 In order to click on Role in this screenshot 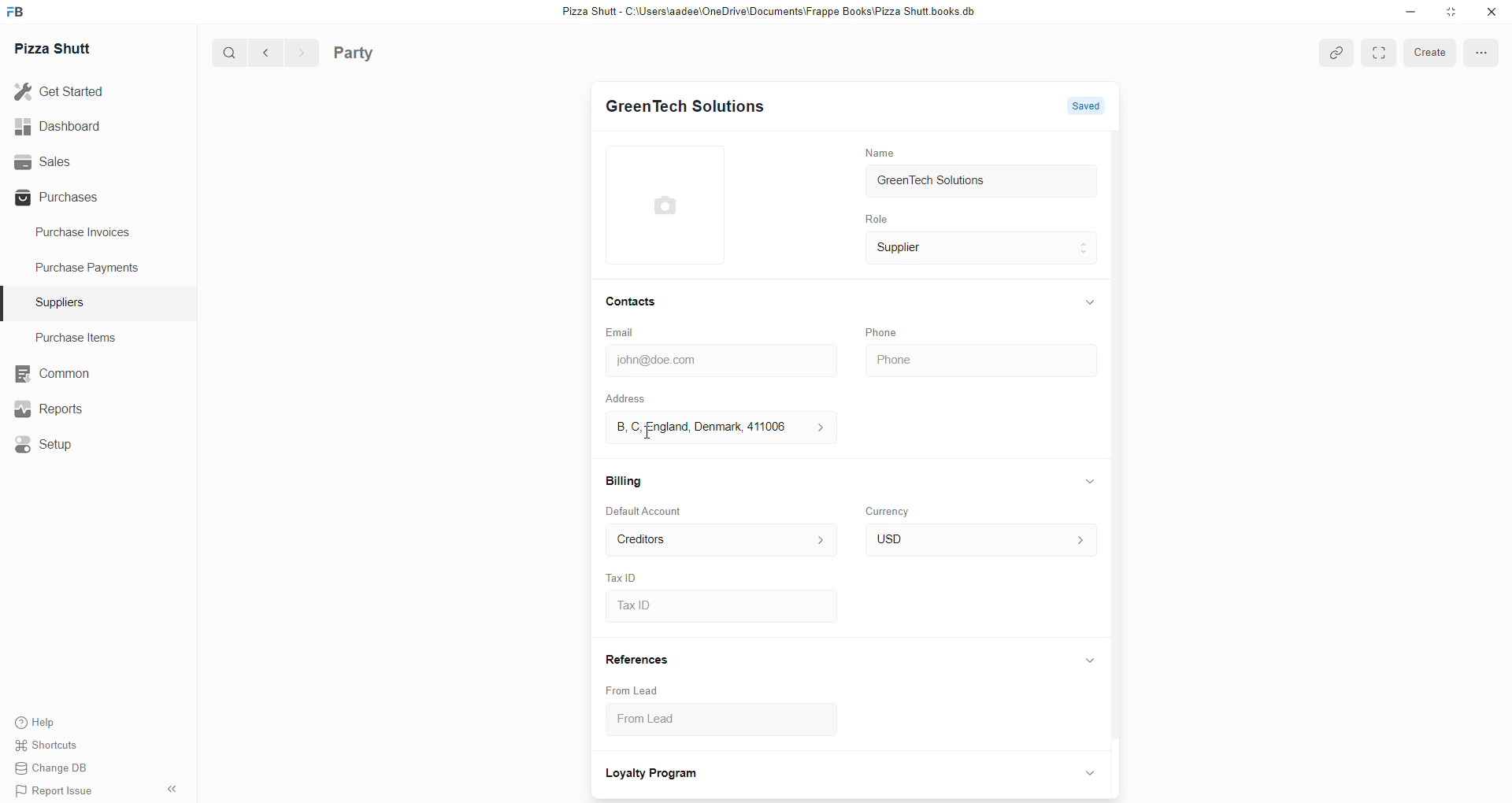, I will do `click(875, 220)`.